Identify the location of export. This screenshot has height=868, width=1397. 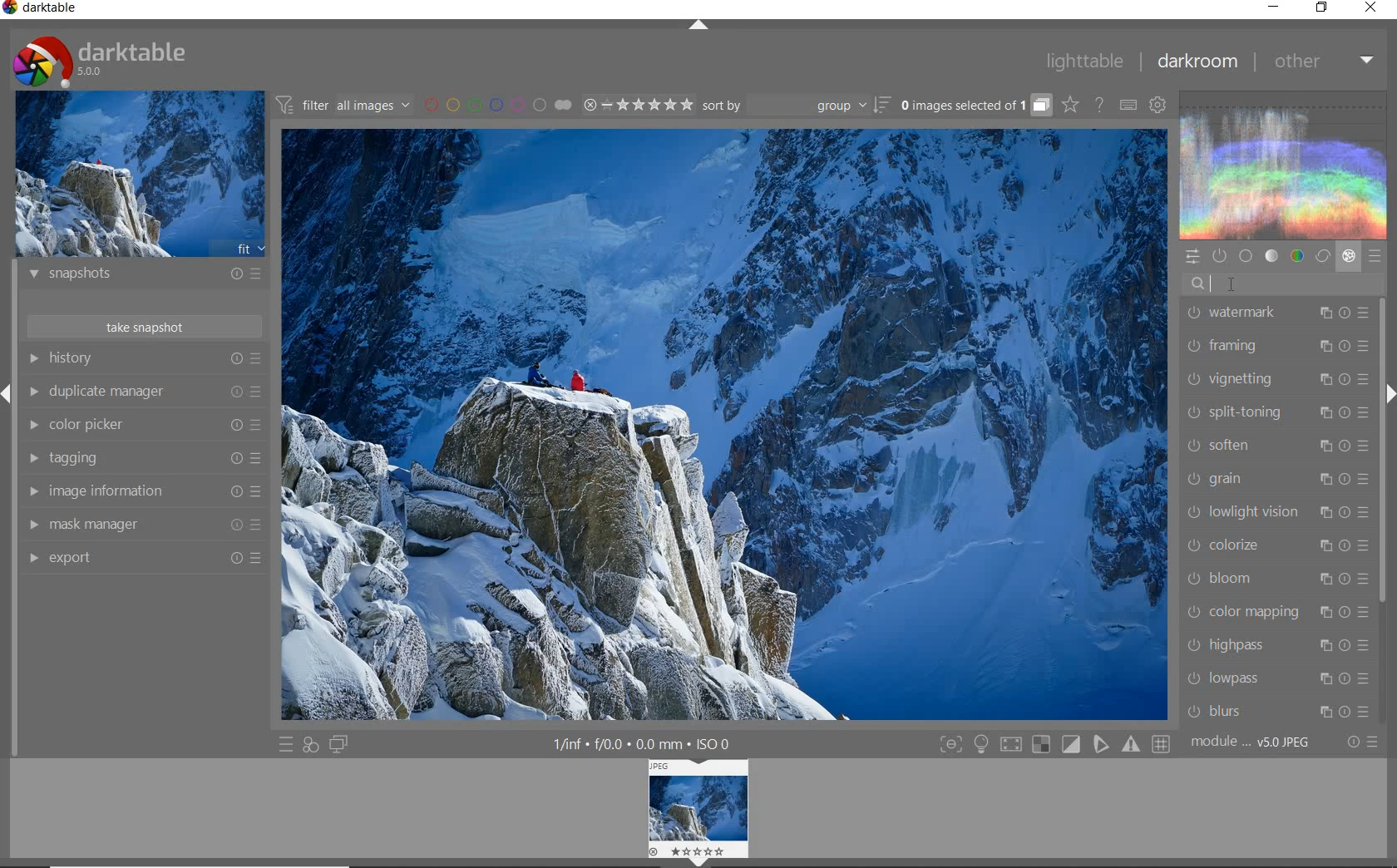
(141, 557).